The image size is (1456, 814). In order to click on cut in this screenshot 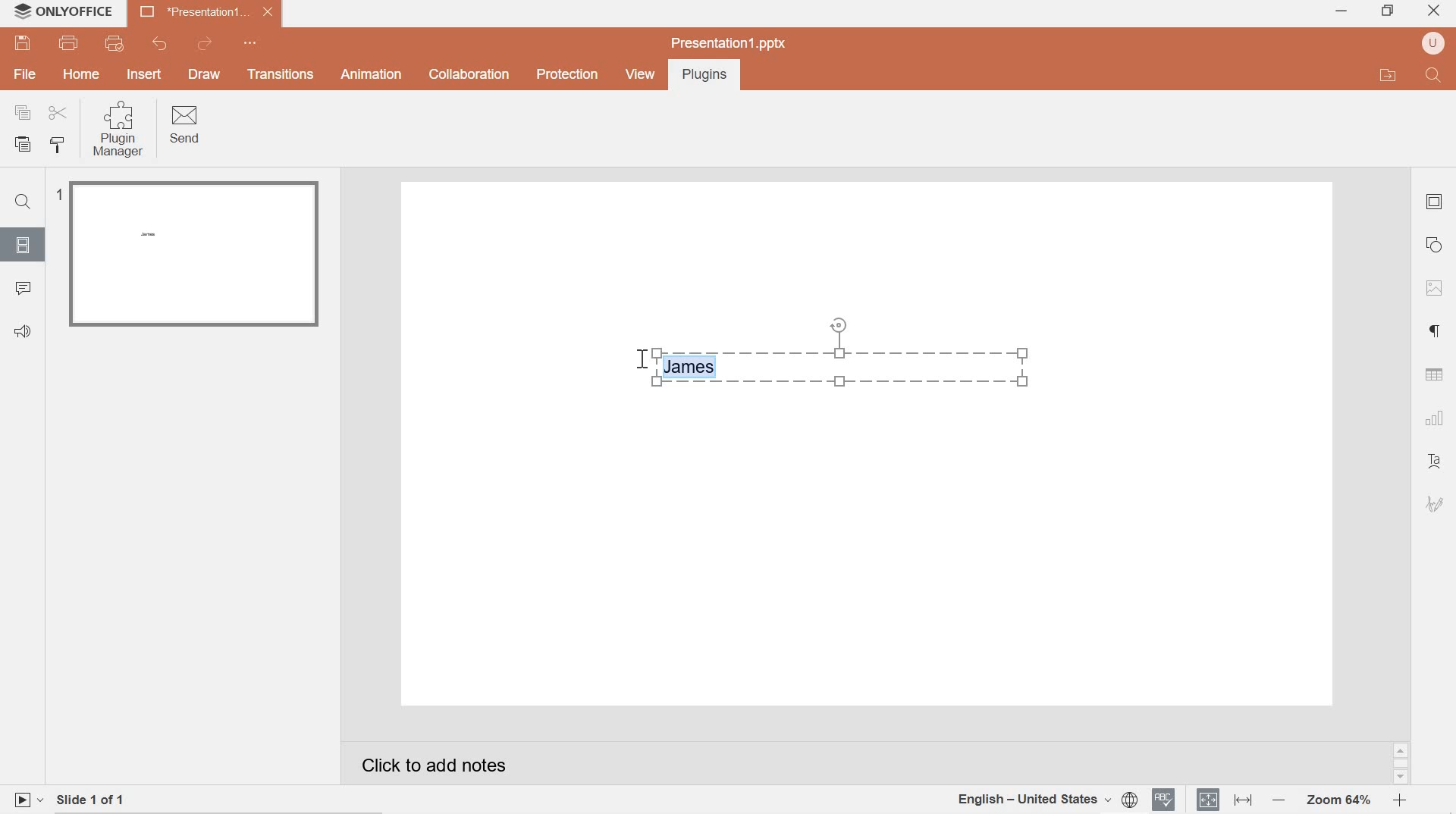, I will do `click(58, 112)`.